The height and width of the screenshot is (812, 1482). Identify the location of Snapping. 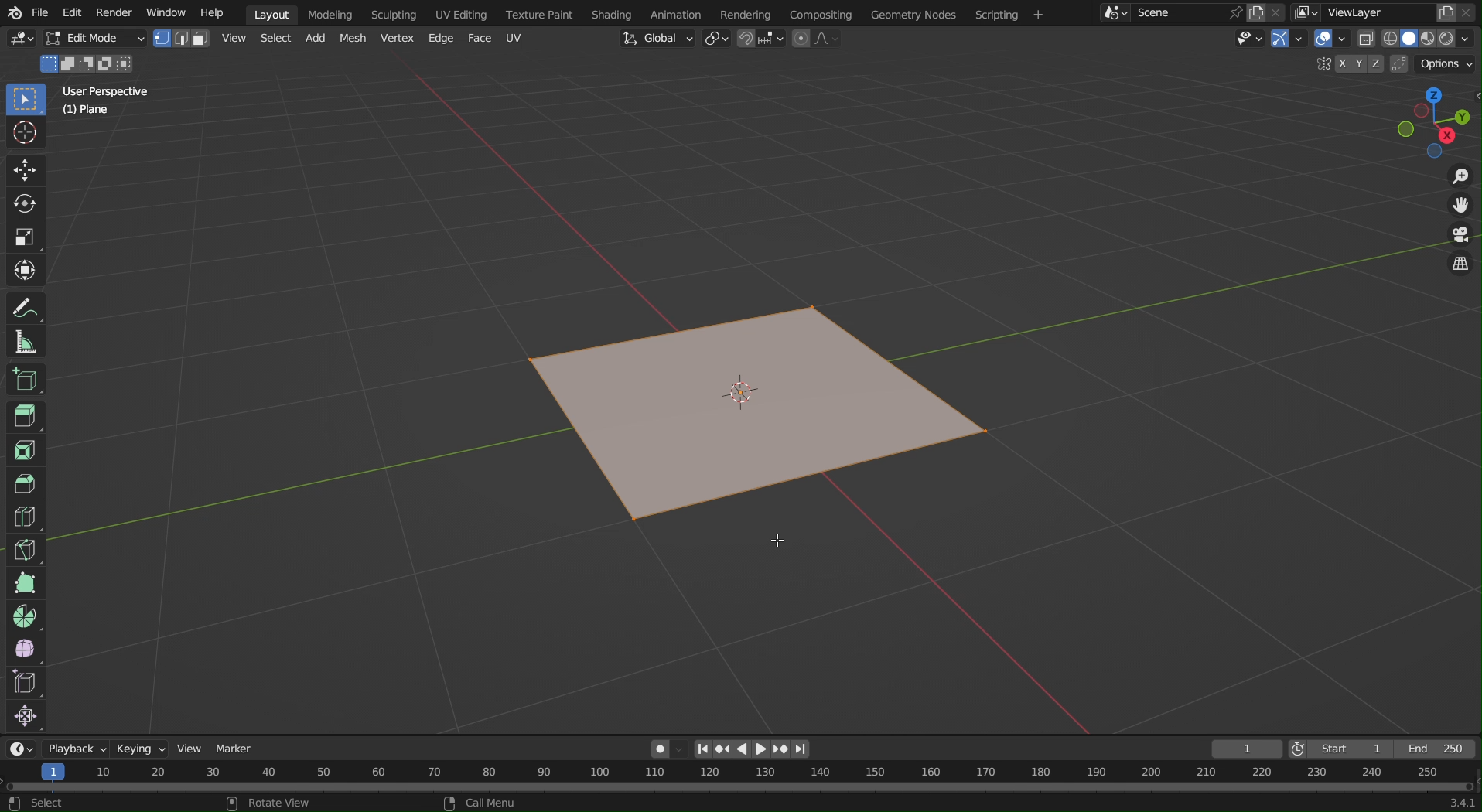
(760, 38).